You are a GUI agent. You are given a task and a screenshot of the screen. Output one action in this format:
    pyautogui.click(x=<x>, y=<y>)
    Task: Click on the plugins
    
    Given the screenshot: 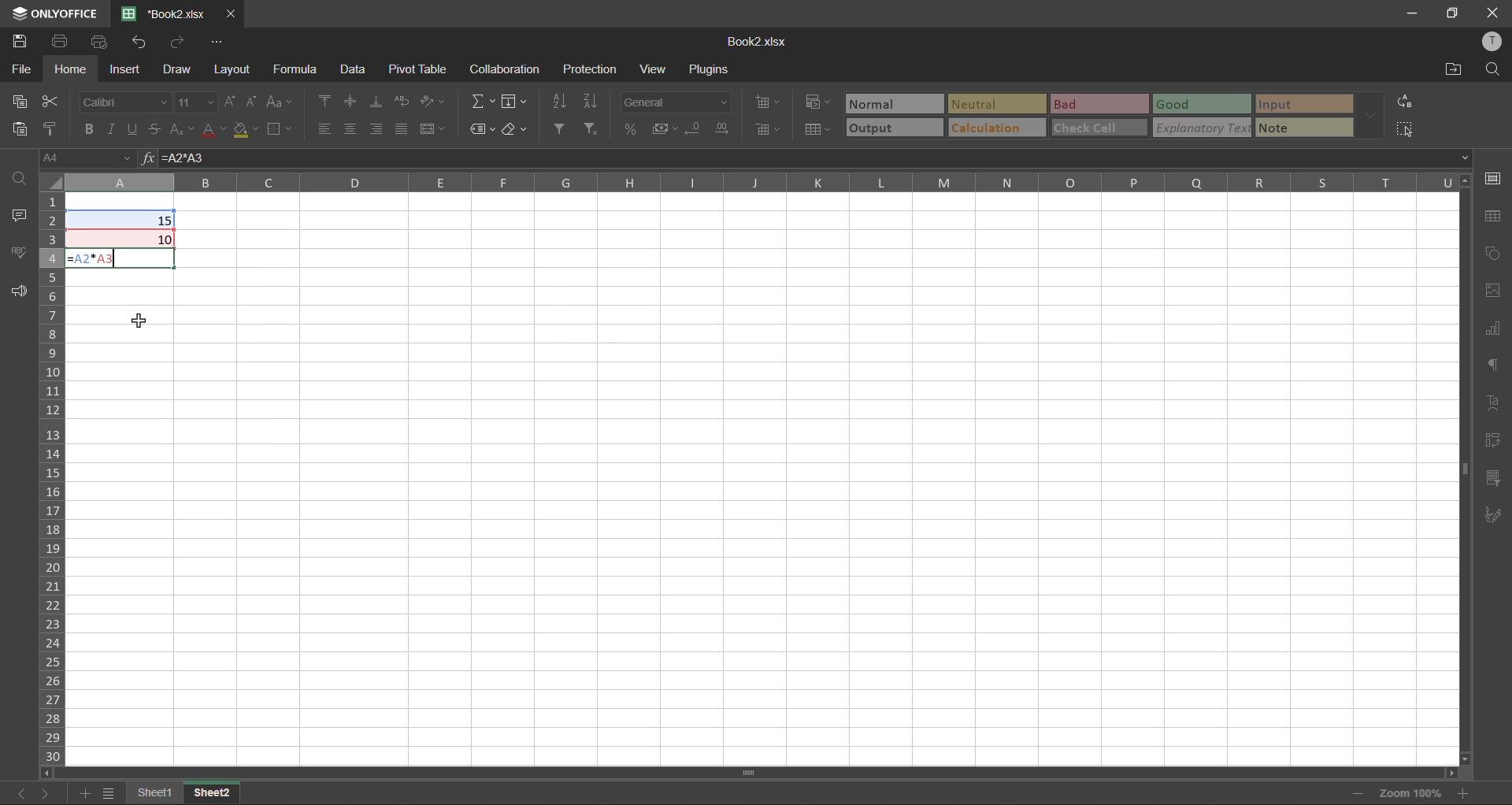 What is the action you would take?
    pyautogui.click(x=711, y=69)
    